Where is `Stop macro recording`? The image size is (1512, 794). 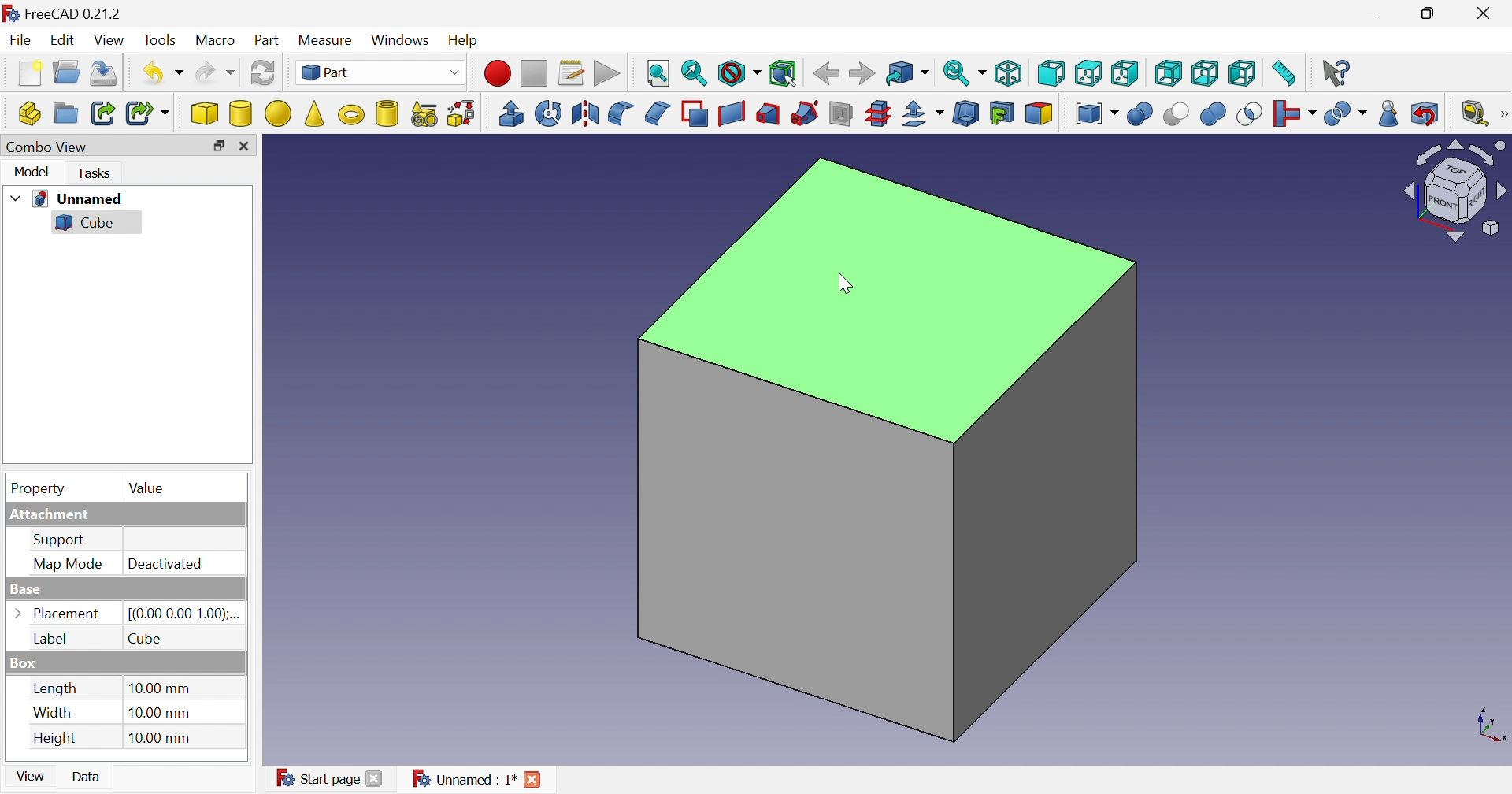
Stop macro recording is located at coordinates (536, 74).